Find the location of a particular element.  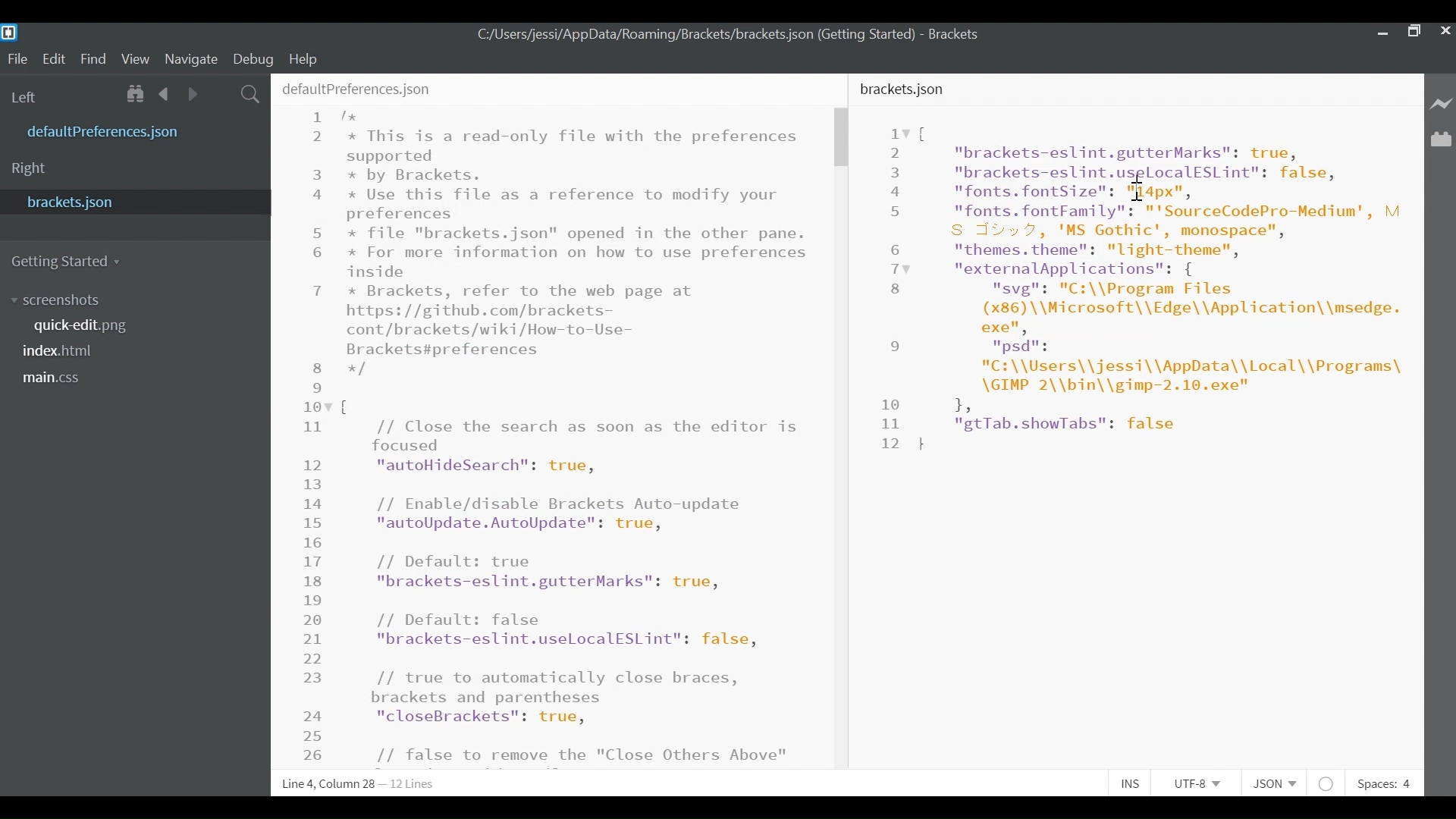

Help is located at coordinates (304, 60).